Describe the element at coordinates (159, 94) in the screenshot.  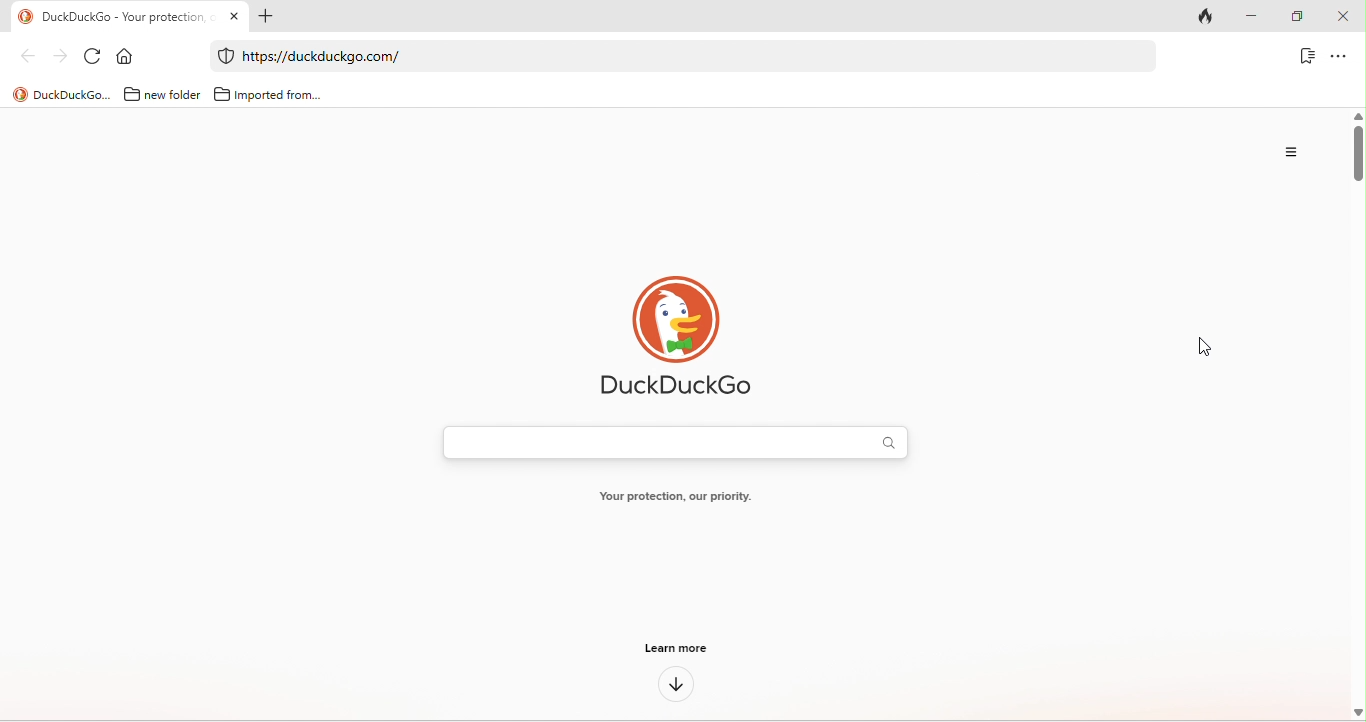
I see `new folder` at that location.